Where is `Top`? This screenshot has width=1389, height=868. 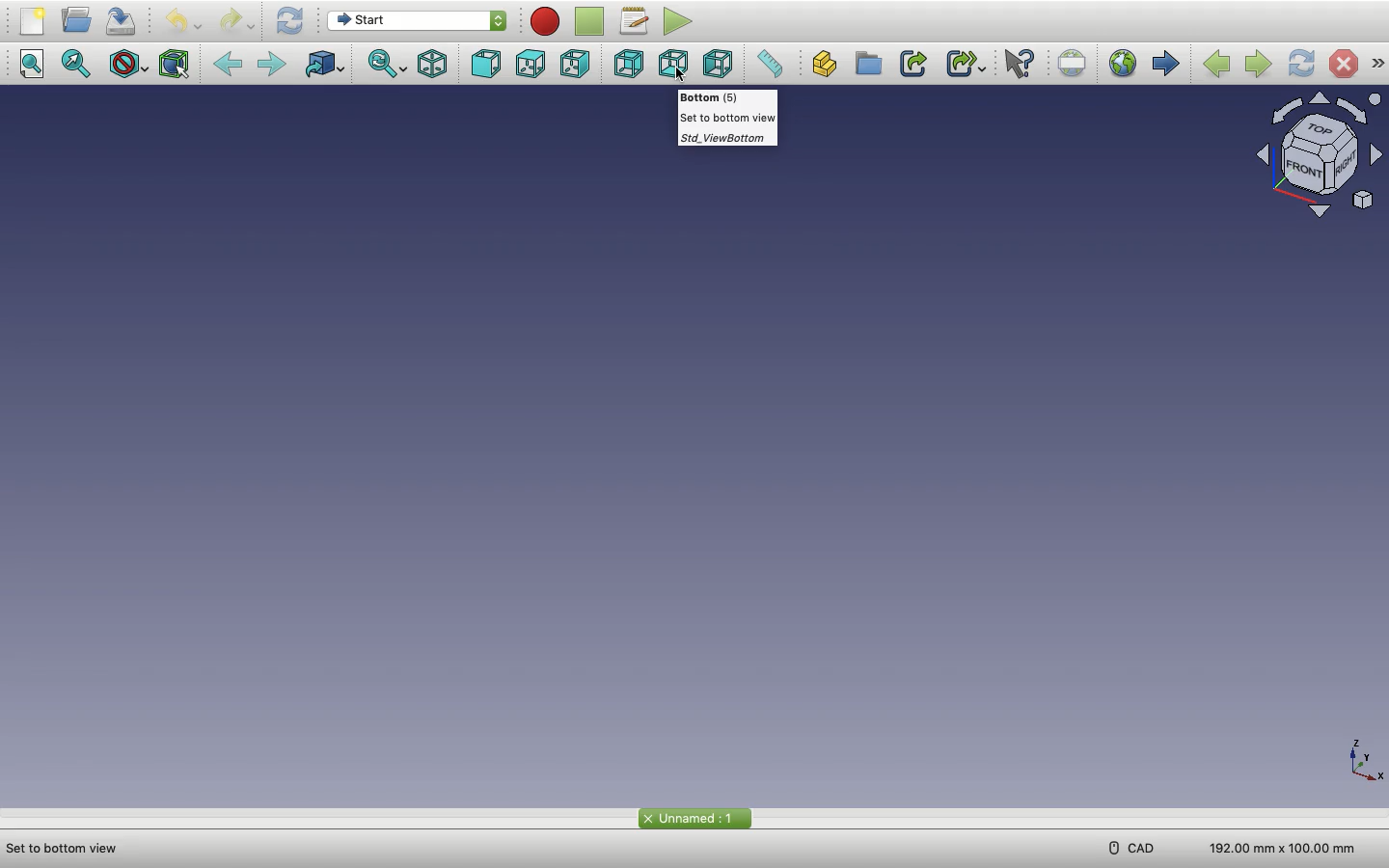 Top is located at coordinates (533, 65).